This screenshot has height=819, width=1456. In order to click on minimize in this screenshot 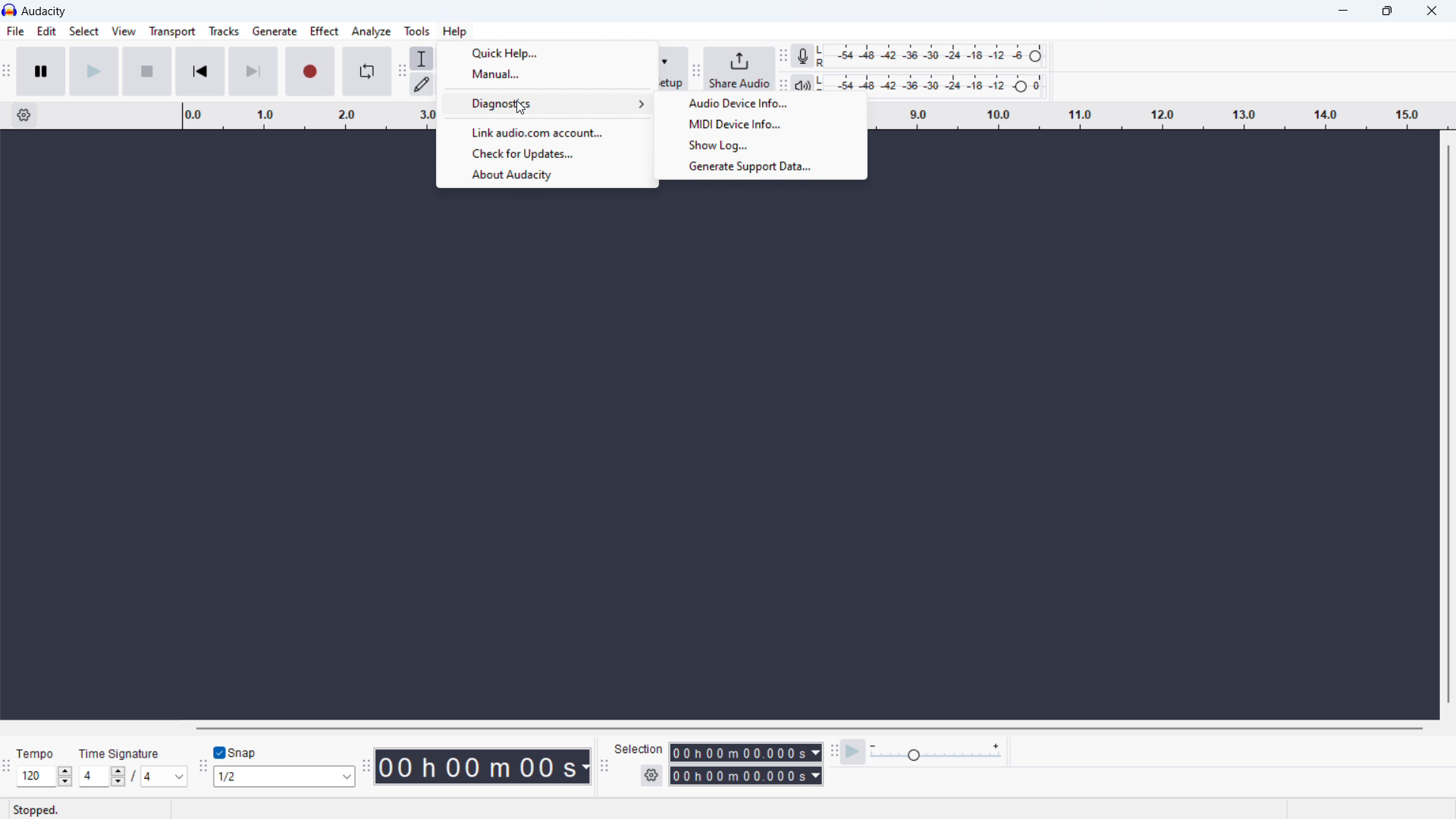, I will do `click(1339, 11)`.